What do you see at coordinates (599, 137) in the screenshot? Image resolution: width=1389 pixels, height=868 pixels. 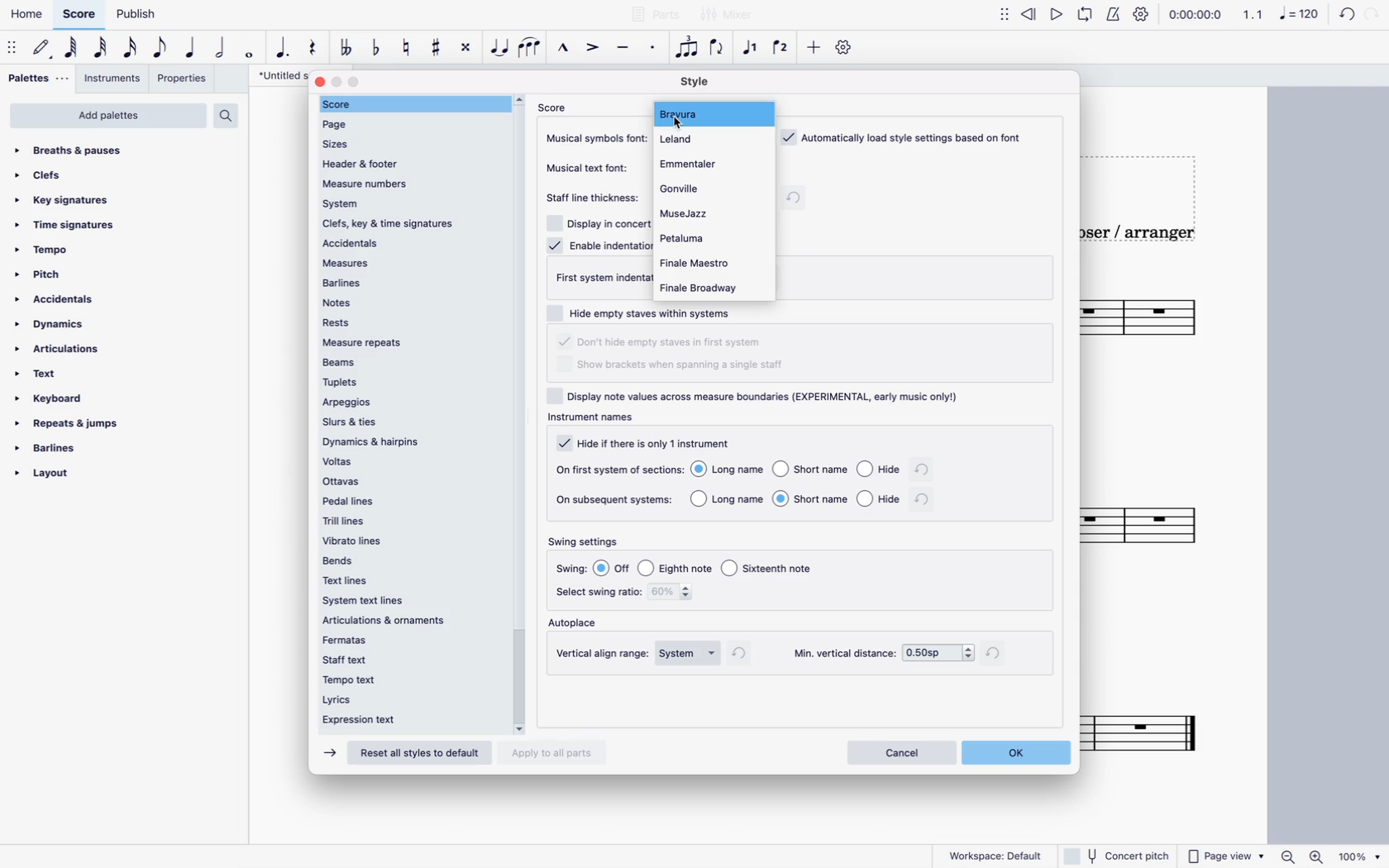 I see `musical symbols font` at bounding box center [599, 137].